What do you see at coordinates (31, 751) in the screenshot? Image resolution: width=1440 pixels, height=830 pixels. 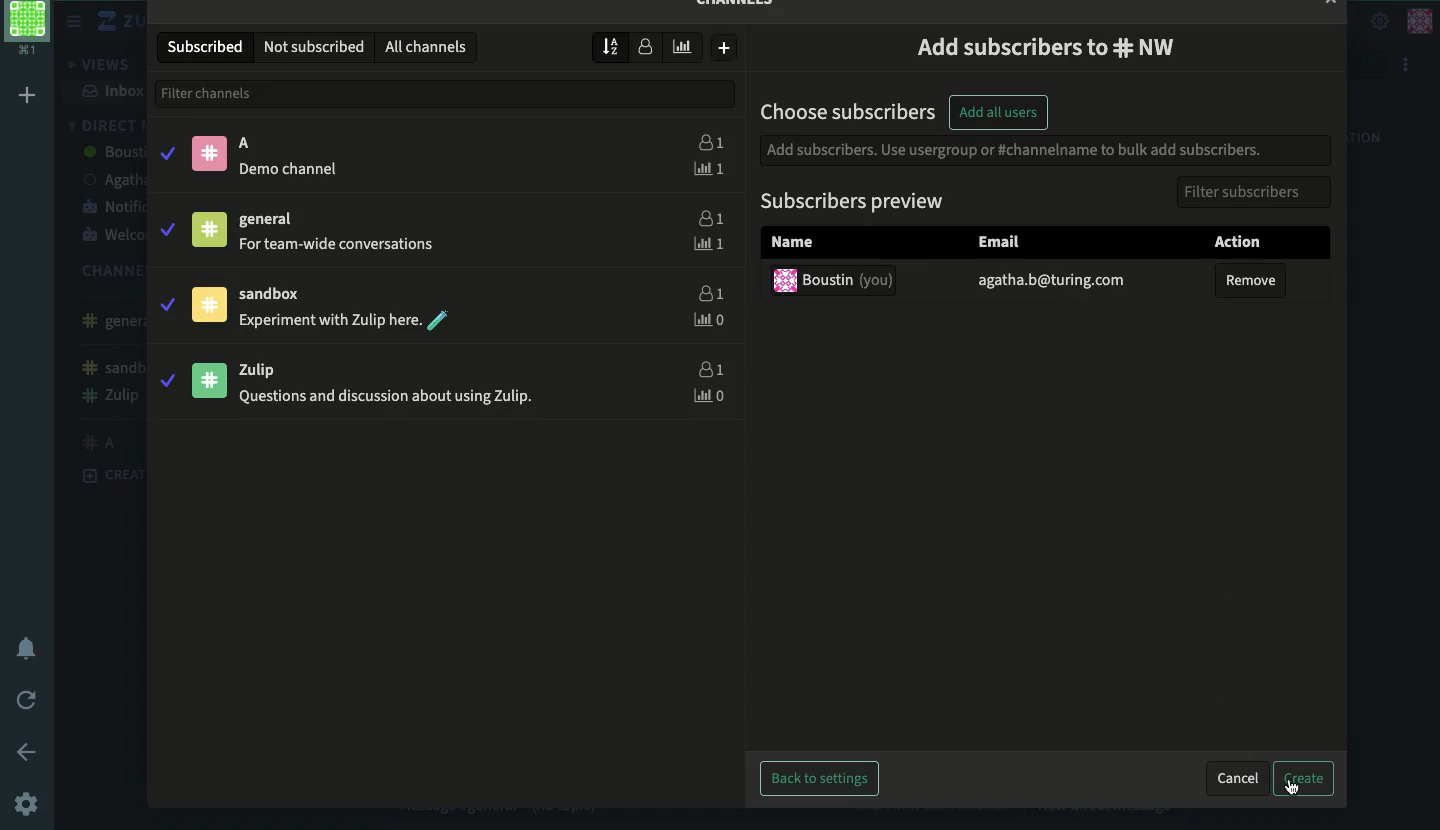 I see `back` at bounding box center [31, 751].